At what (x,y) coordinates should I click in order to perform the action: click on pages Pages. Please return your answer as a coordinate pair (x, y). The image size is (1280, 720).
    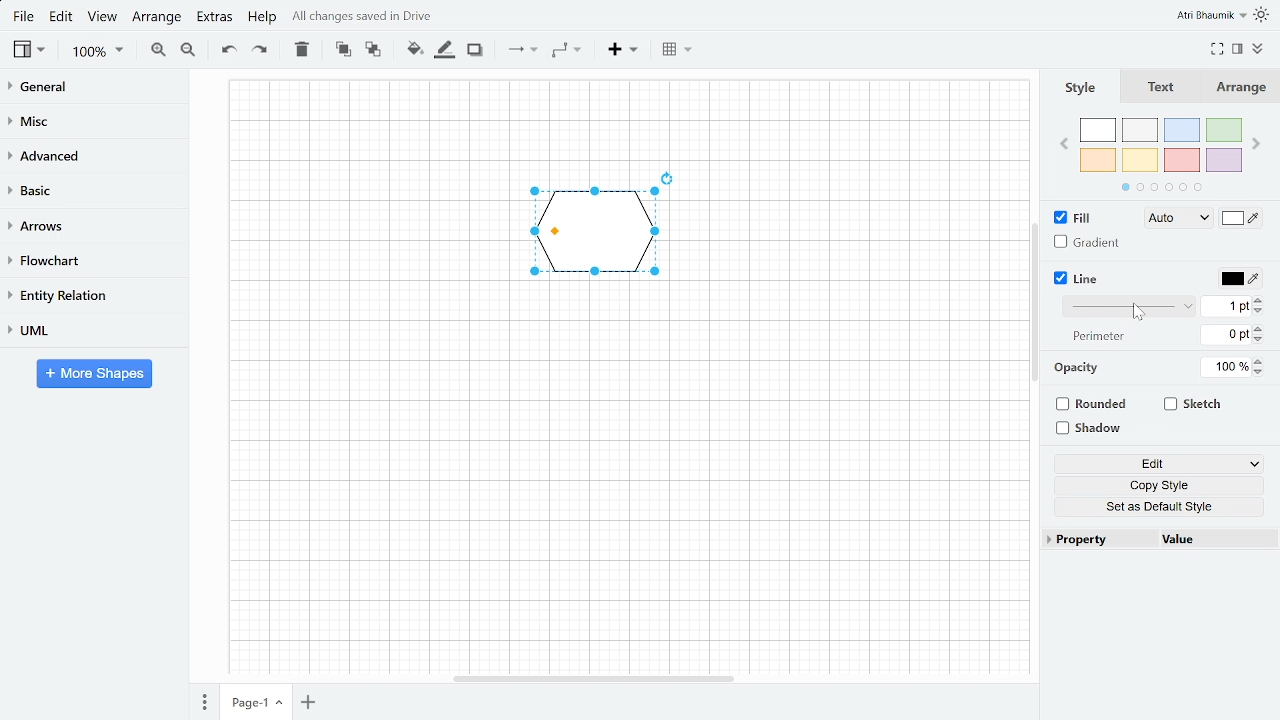
    Looking at the image, I should click on (204, 701).